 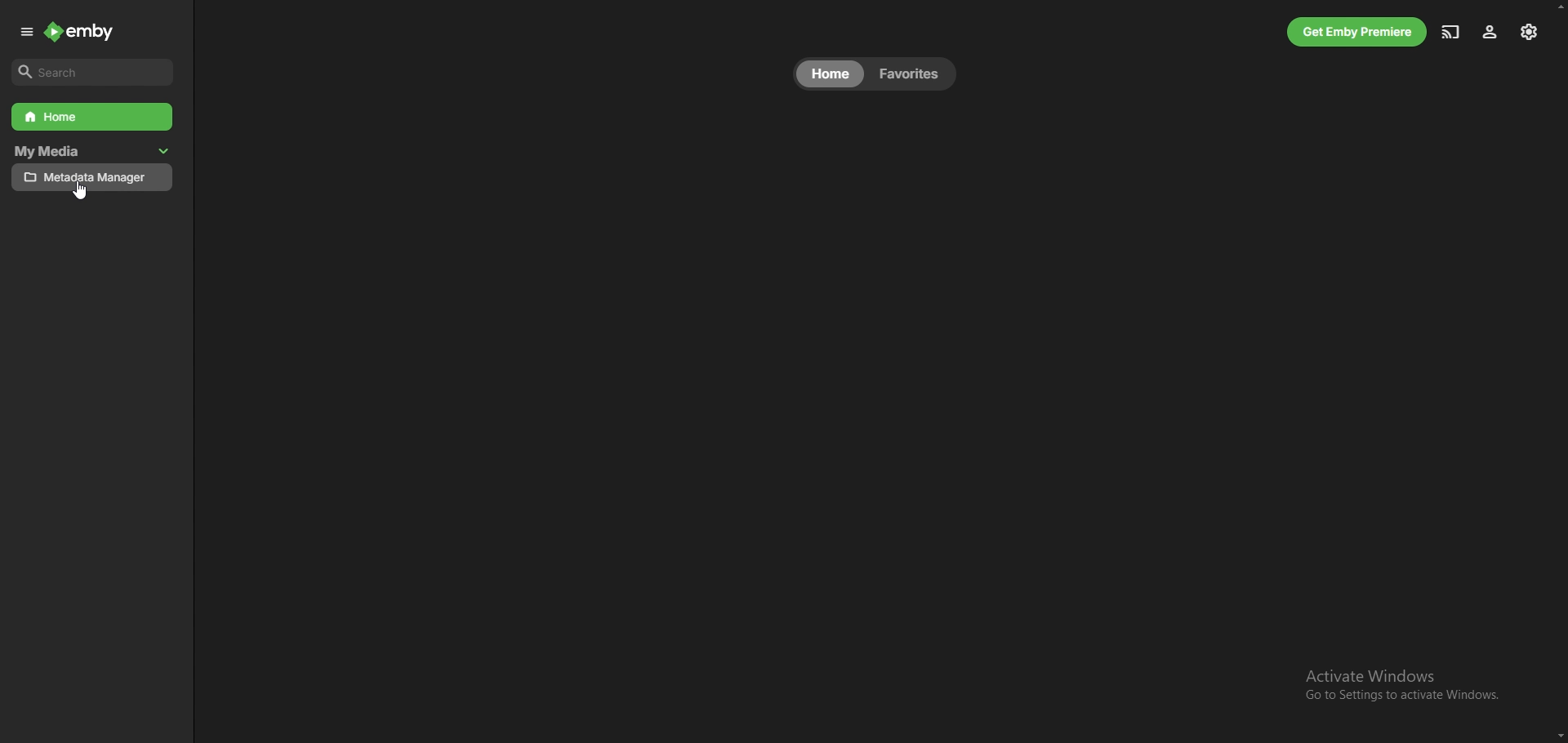 What do you see at coordinates (164, 152) in the screenshot?
I see `collapse` at bounding box center [164, 152].